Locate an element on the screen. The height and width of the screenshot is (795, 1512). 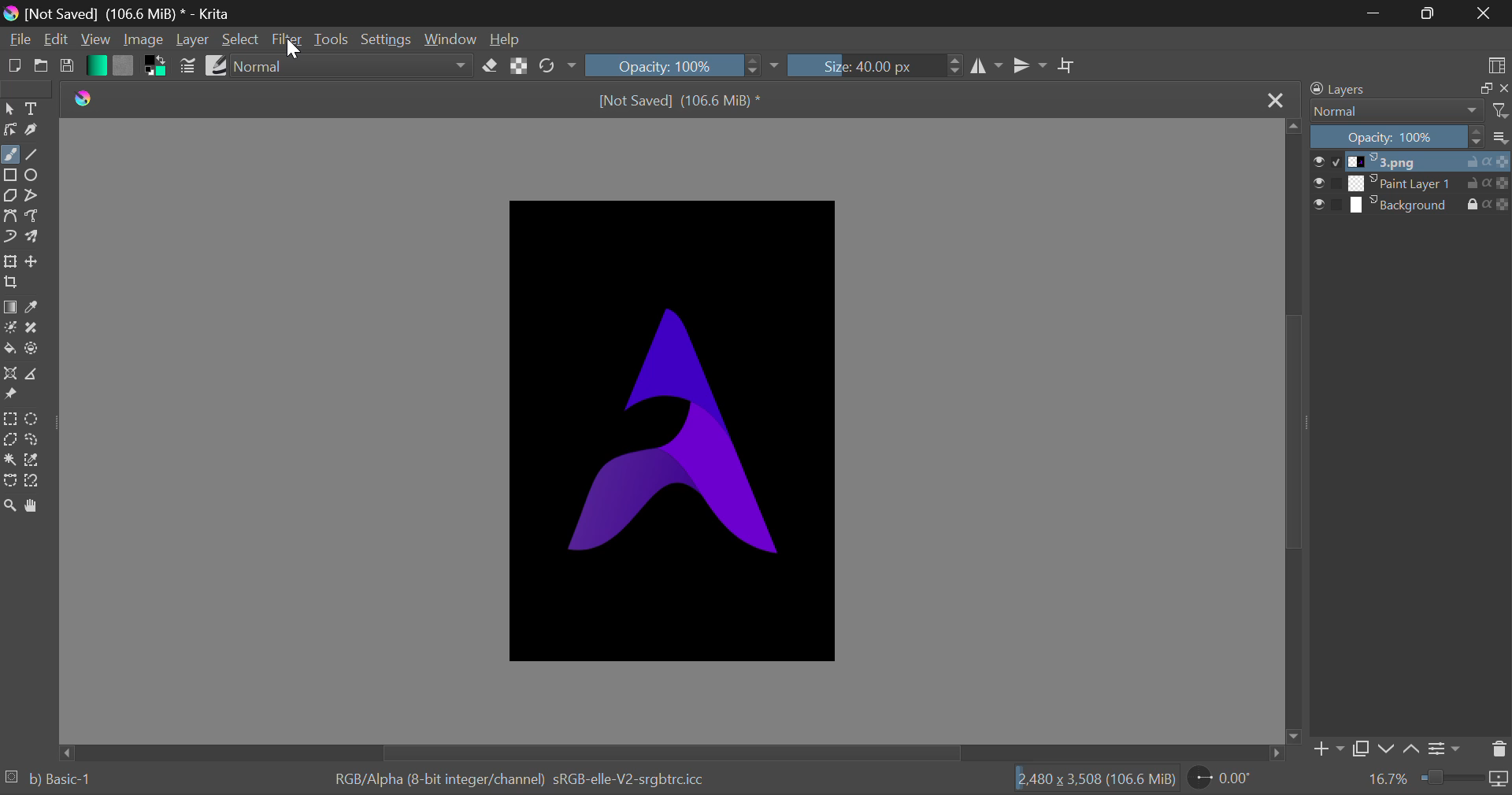
Freehand Tool is located at coordinates (9, 154).